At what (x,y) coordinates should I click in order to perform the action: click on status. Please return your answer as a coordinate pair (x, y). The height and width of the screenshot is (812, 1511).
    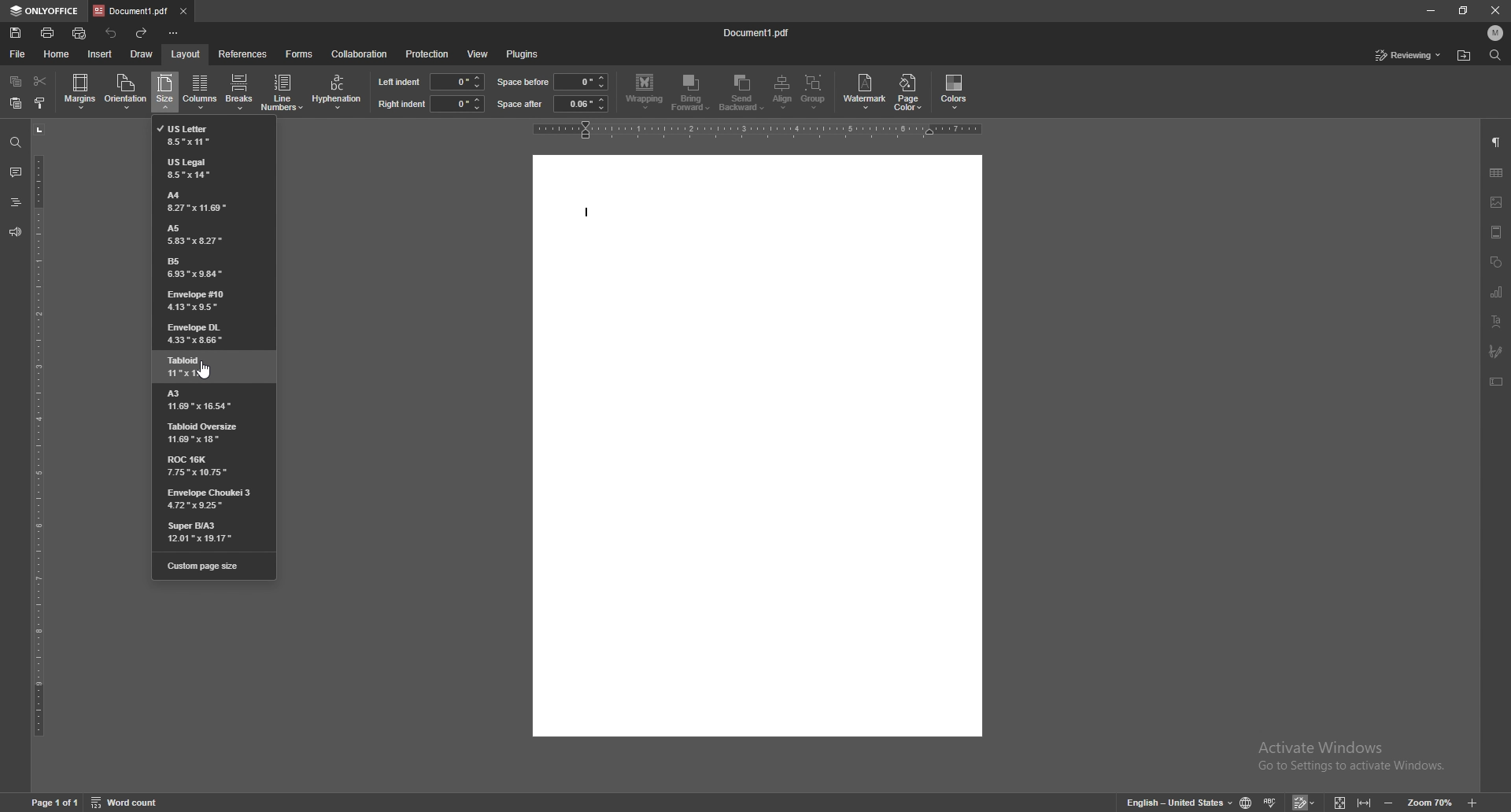
    Looking at the image, I should click on (1409, 55).